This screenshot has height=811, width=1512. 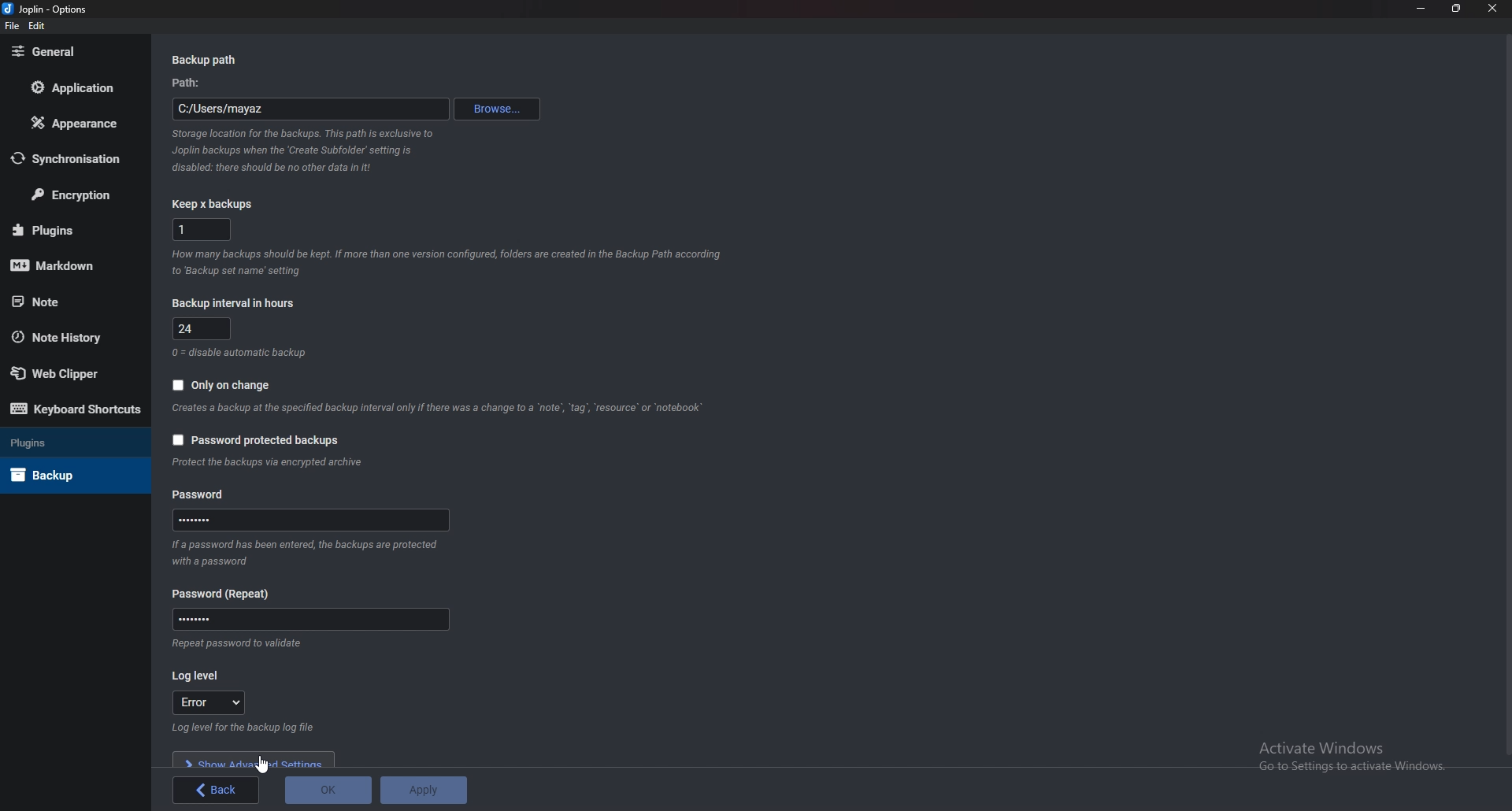 I want to click on Minimize, so click(x=1421, y=7).